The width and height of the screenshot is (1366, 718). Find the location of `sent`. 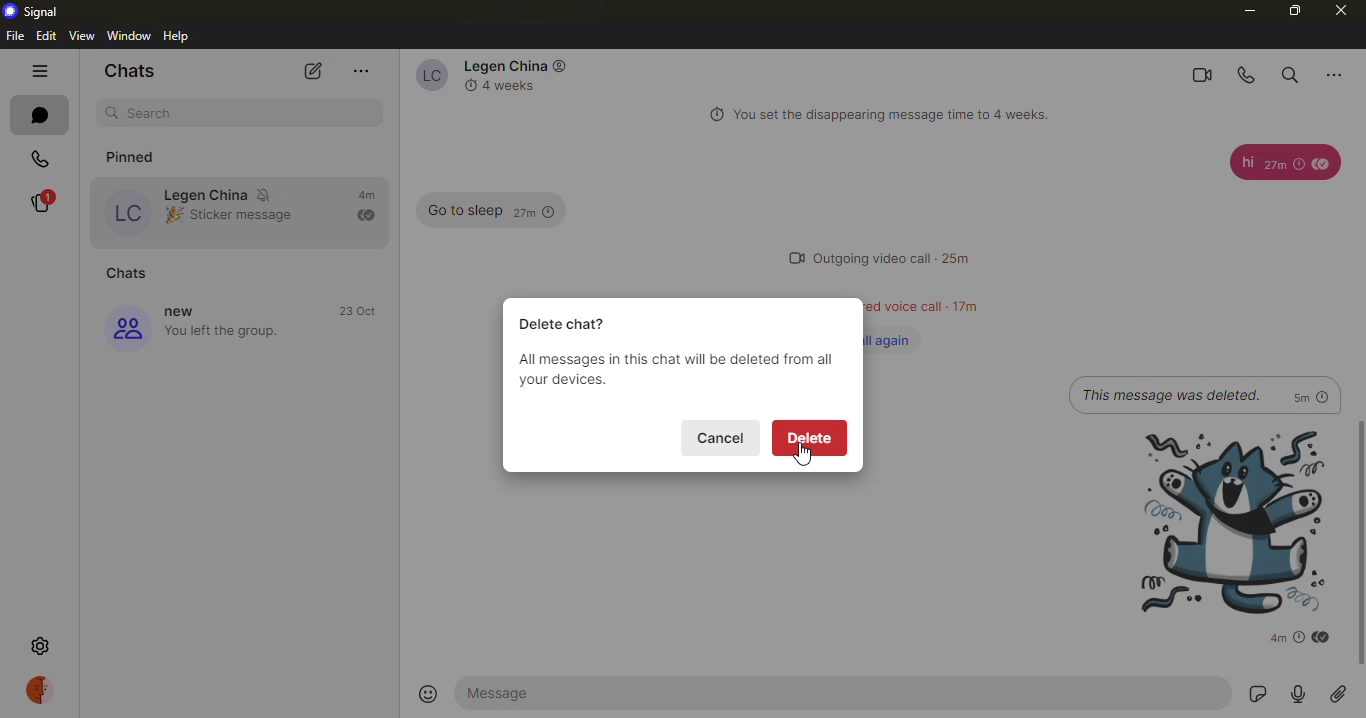

sent is located at coordinates (365, 215).